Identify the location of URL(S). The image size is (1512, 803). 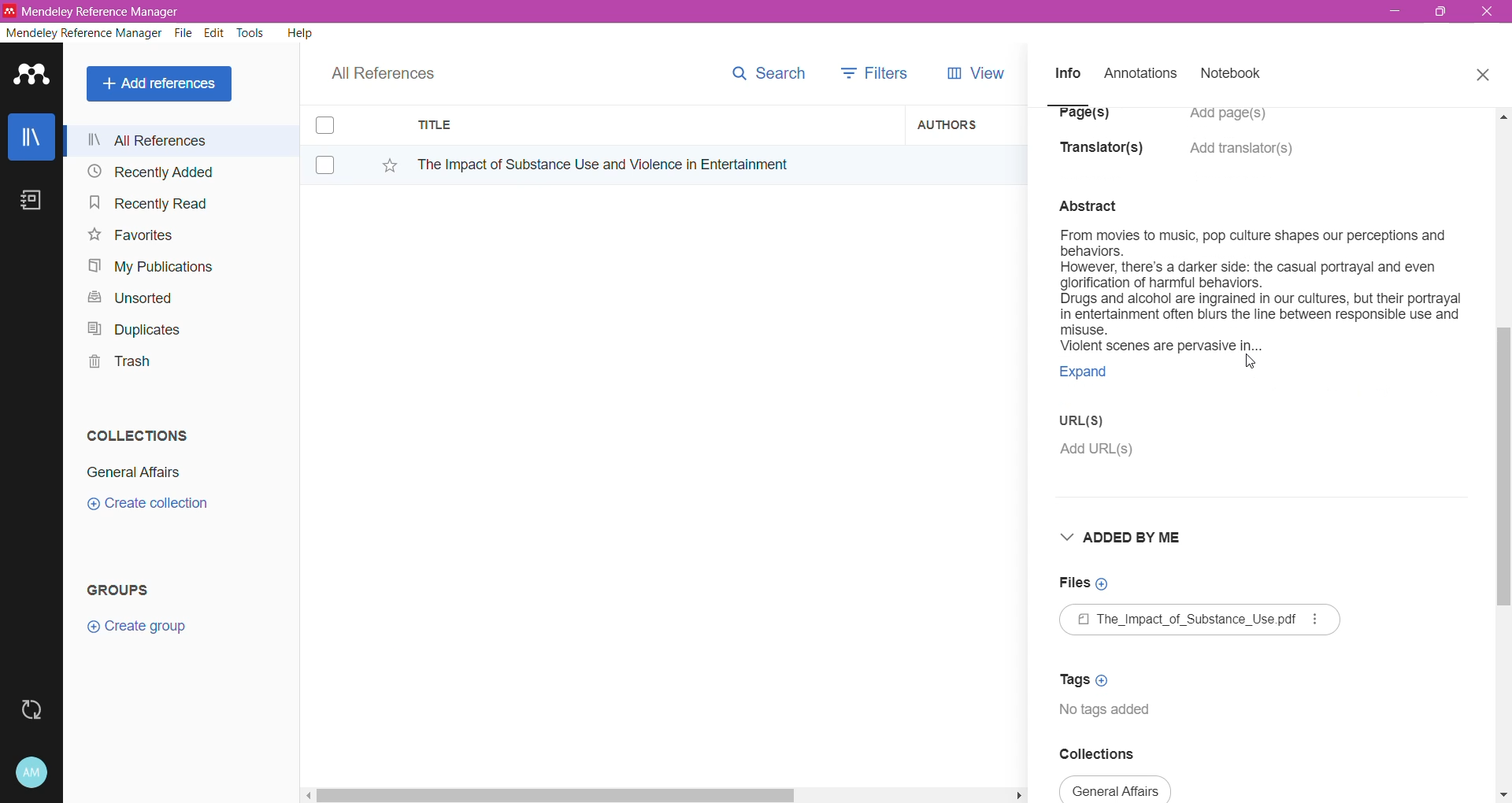
(1091, 425).